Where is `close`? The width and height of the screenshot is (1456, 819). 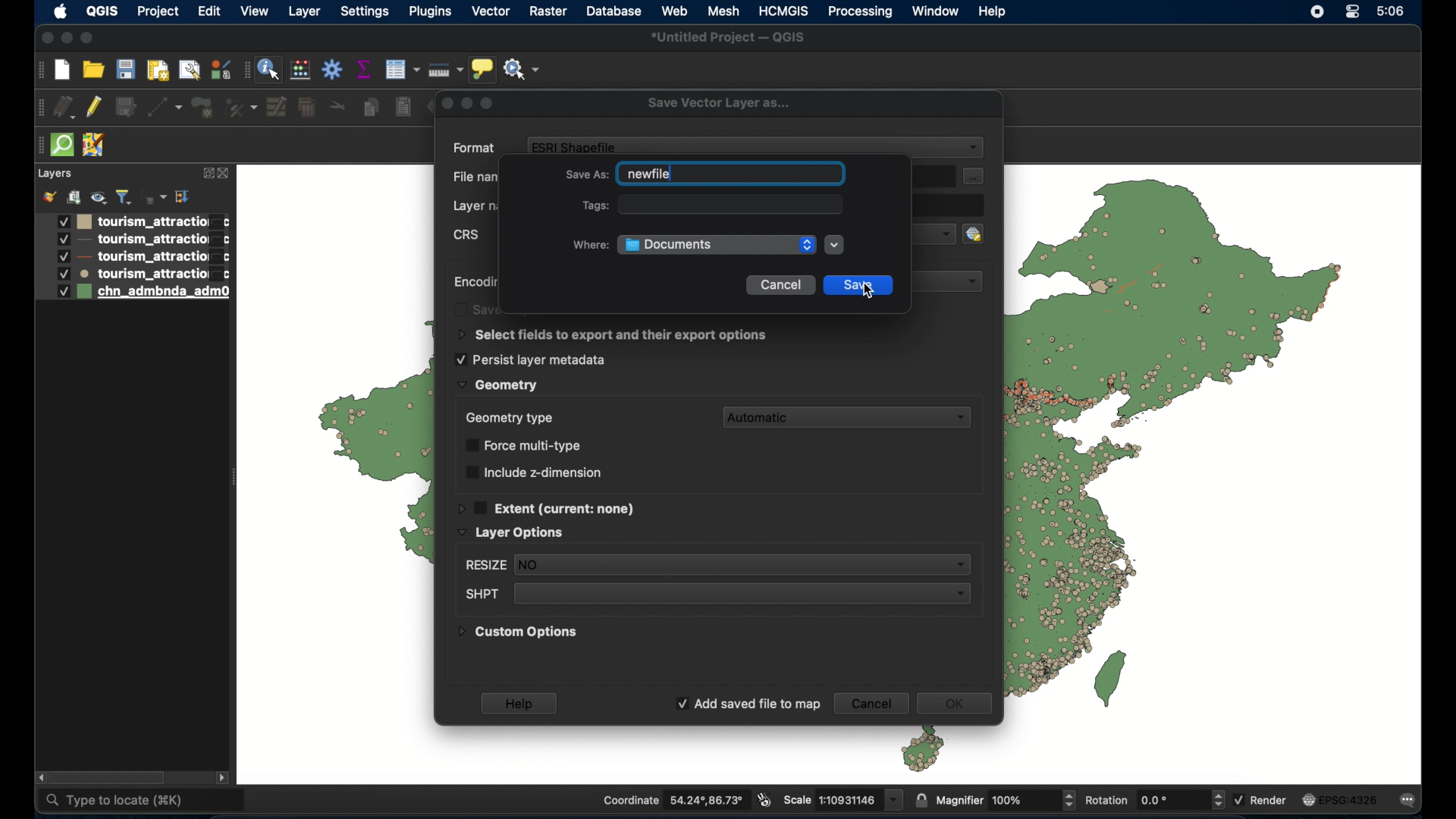 close is located at coordinates (225, 174).